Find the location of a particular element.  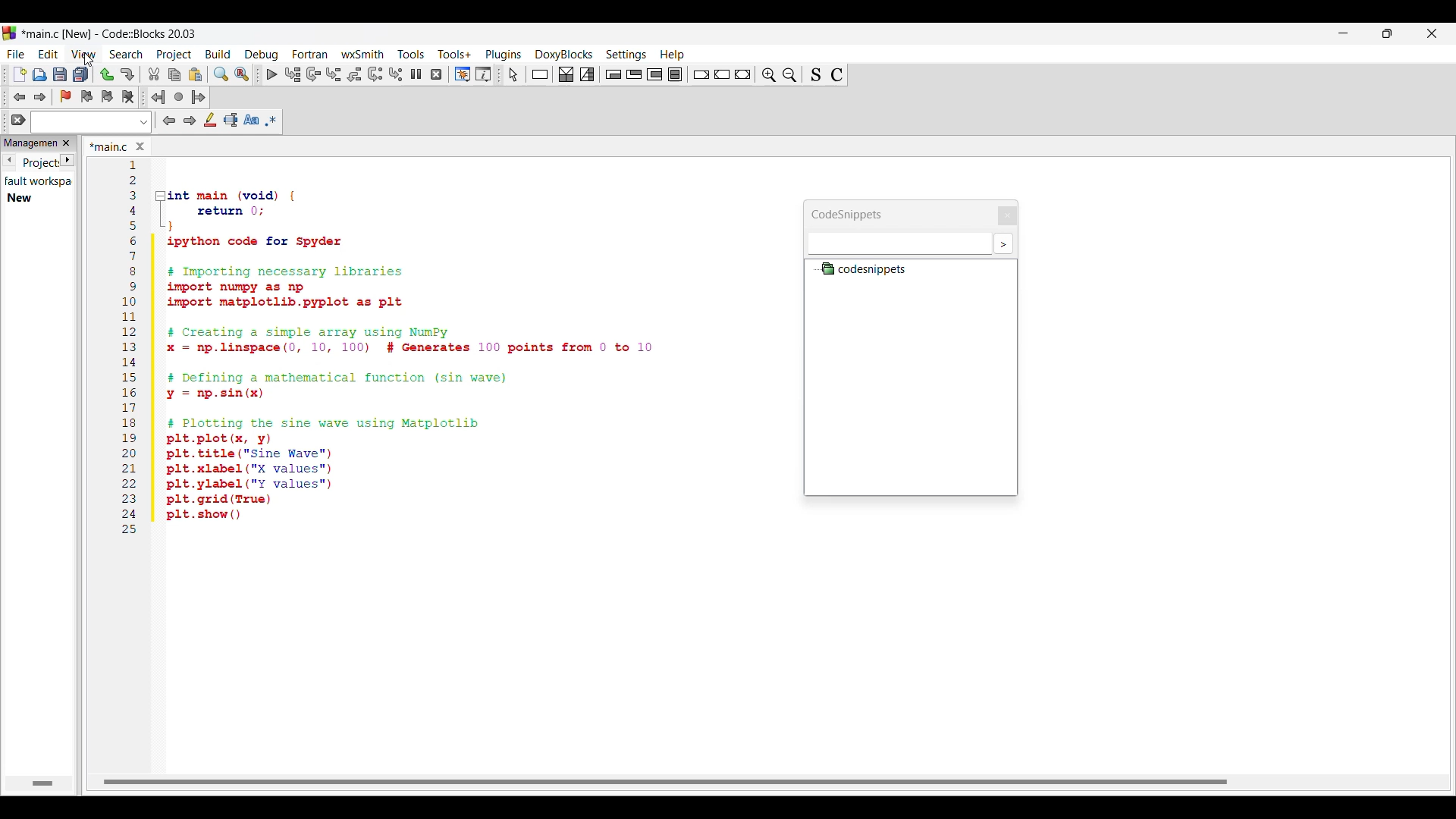

Minimize is located at coordinates (1344, 33).